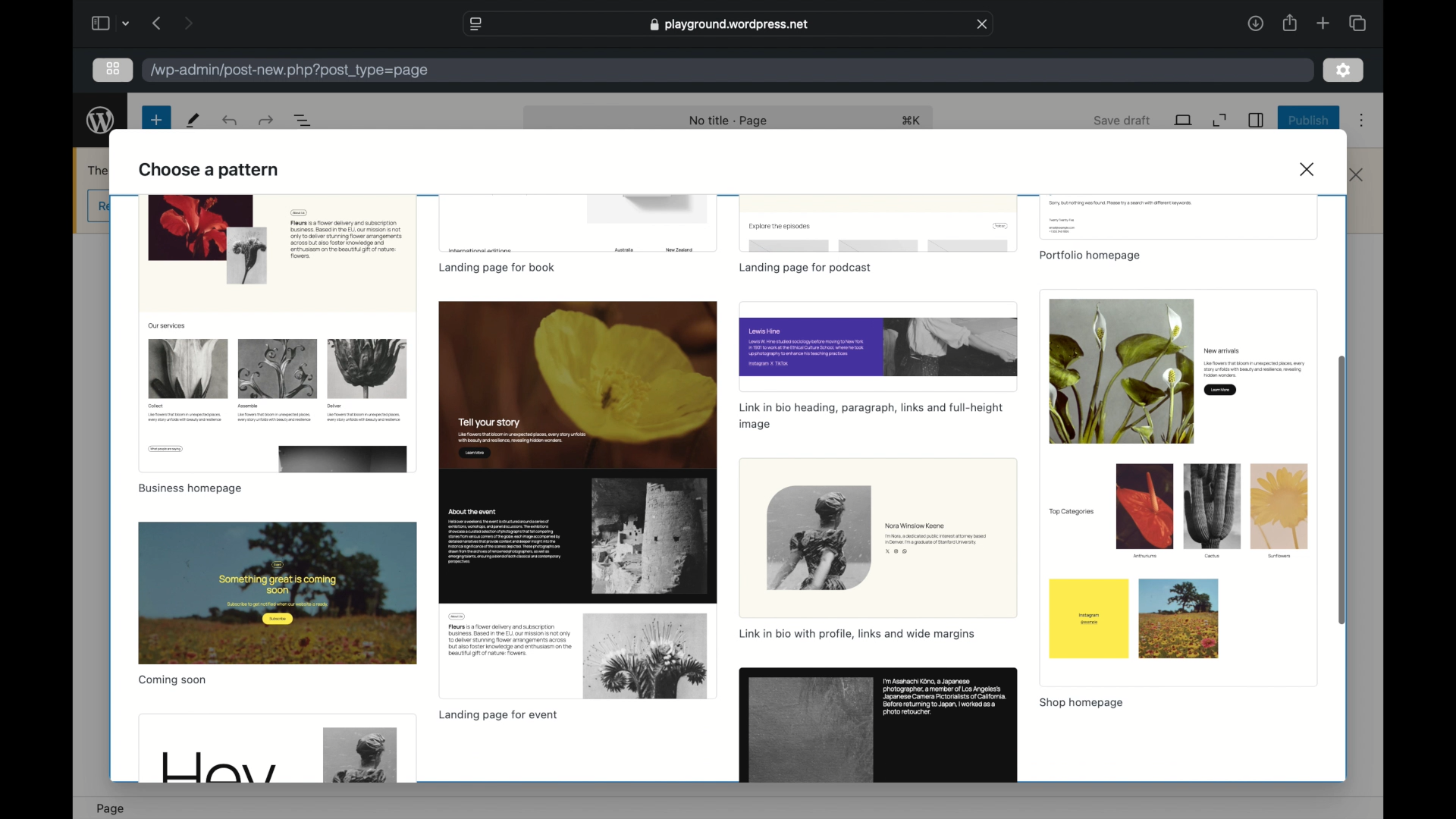  I want to click on tools, so click(194, 120).